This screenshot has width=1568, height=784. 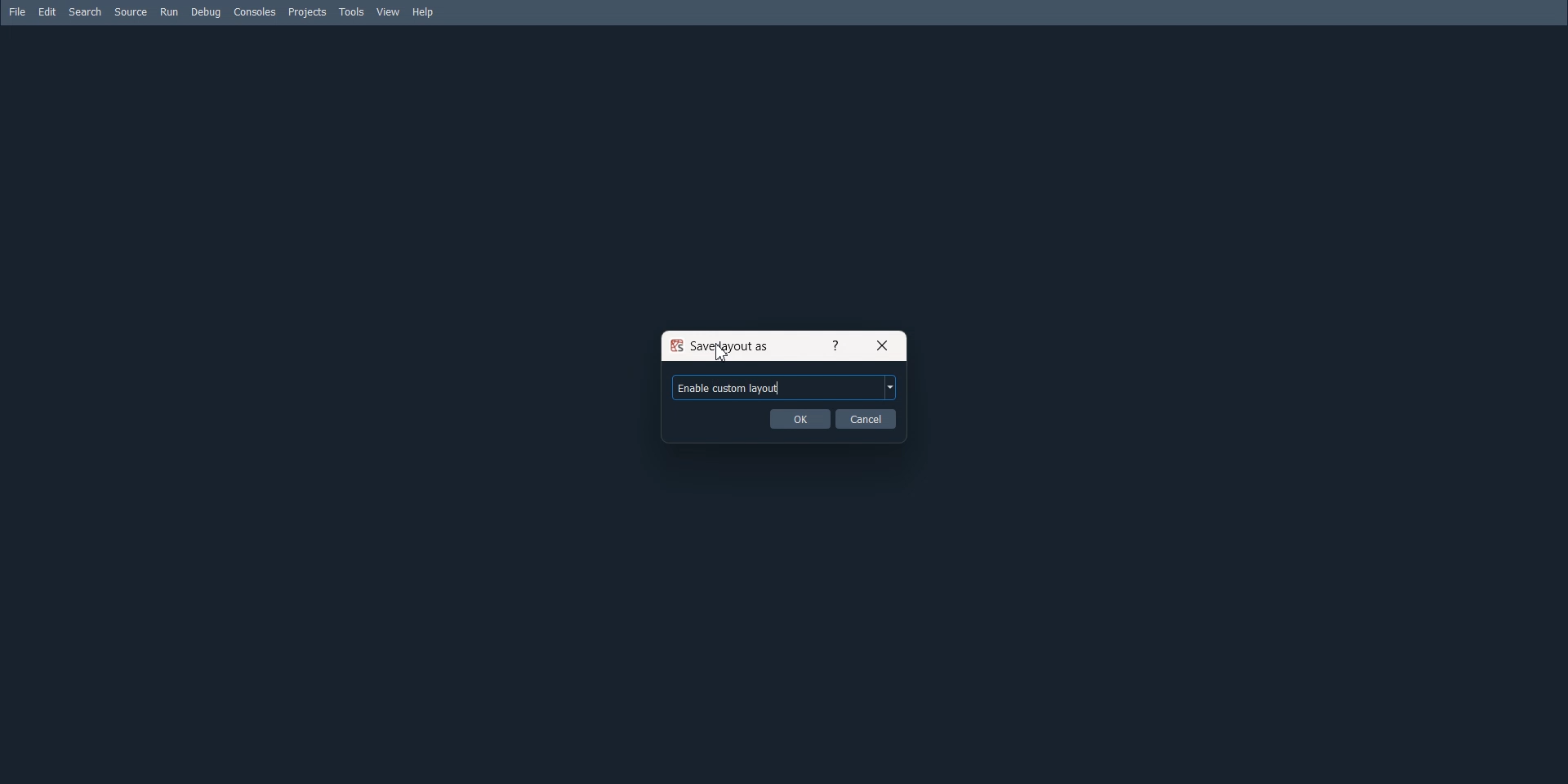 I want to click on Enable custom layout, so click(x=786, y=386).